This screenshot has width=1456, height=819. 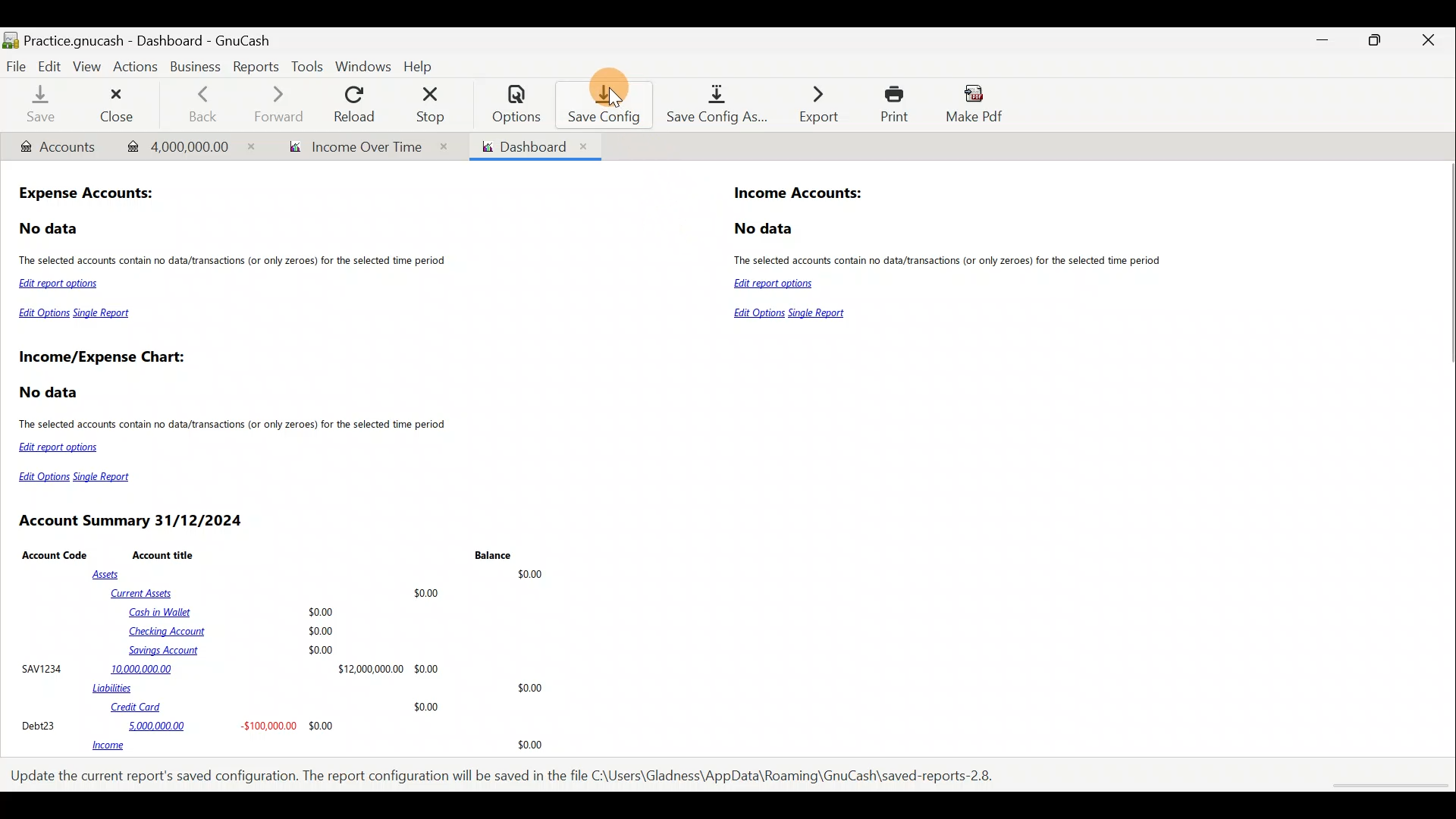 What do you see at coordinates (57, 147) in the screenshot?
I see `Account` at bounding box center [57, 147].